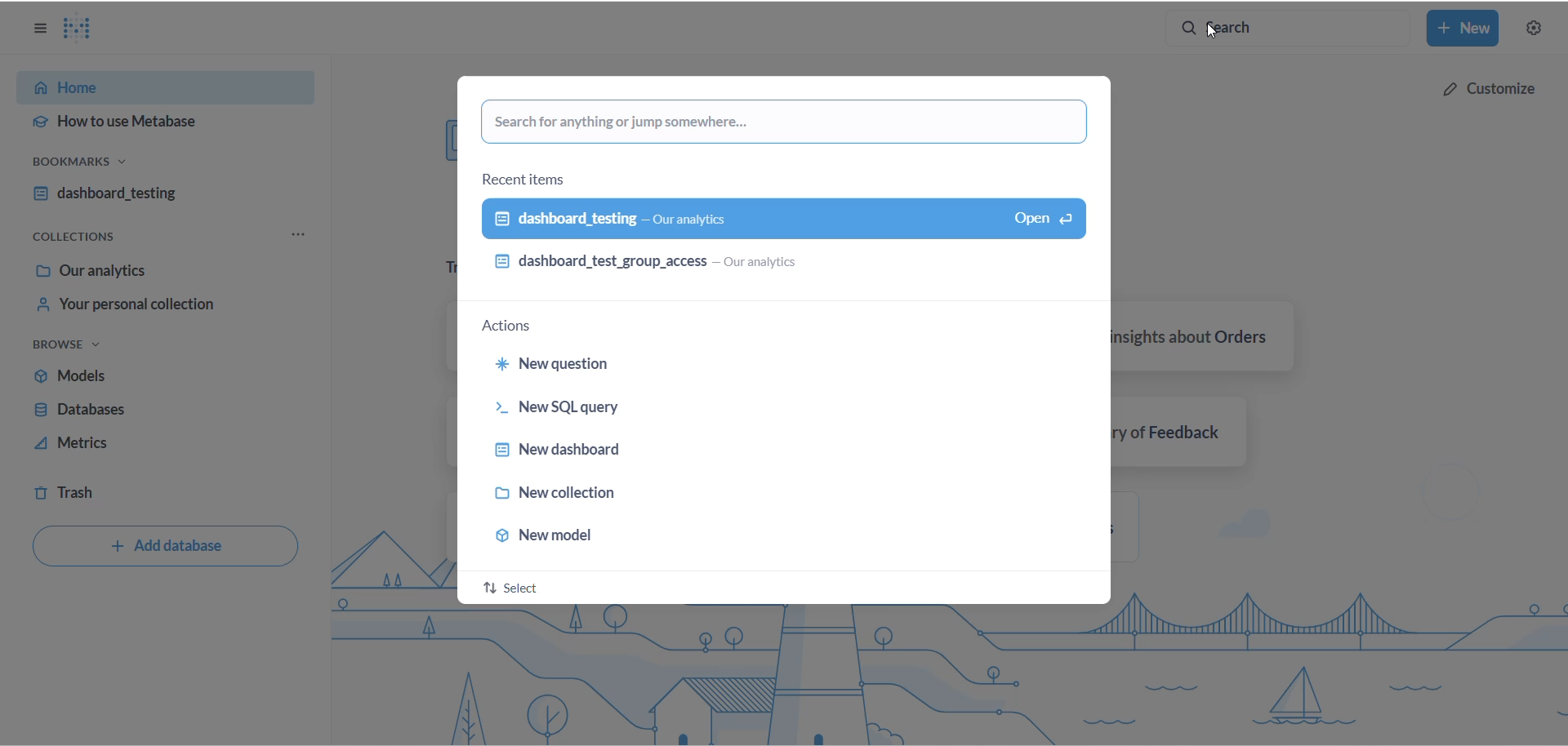 The image size is (1568, 746). I want to click on home, so click(161, 89).